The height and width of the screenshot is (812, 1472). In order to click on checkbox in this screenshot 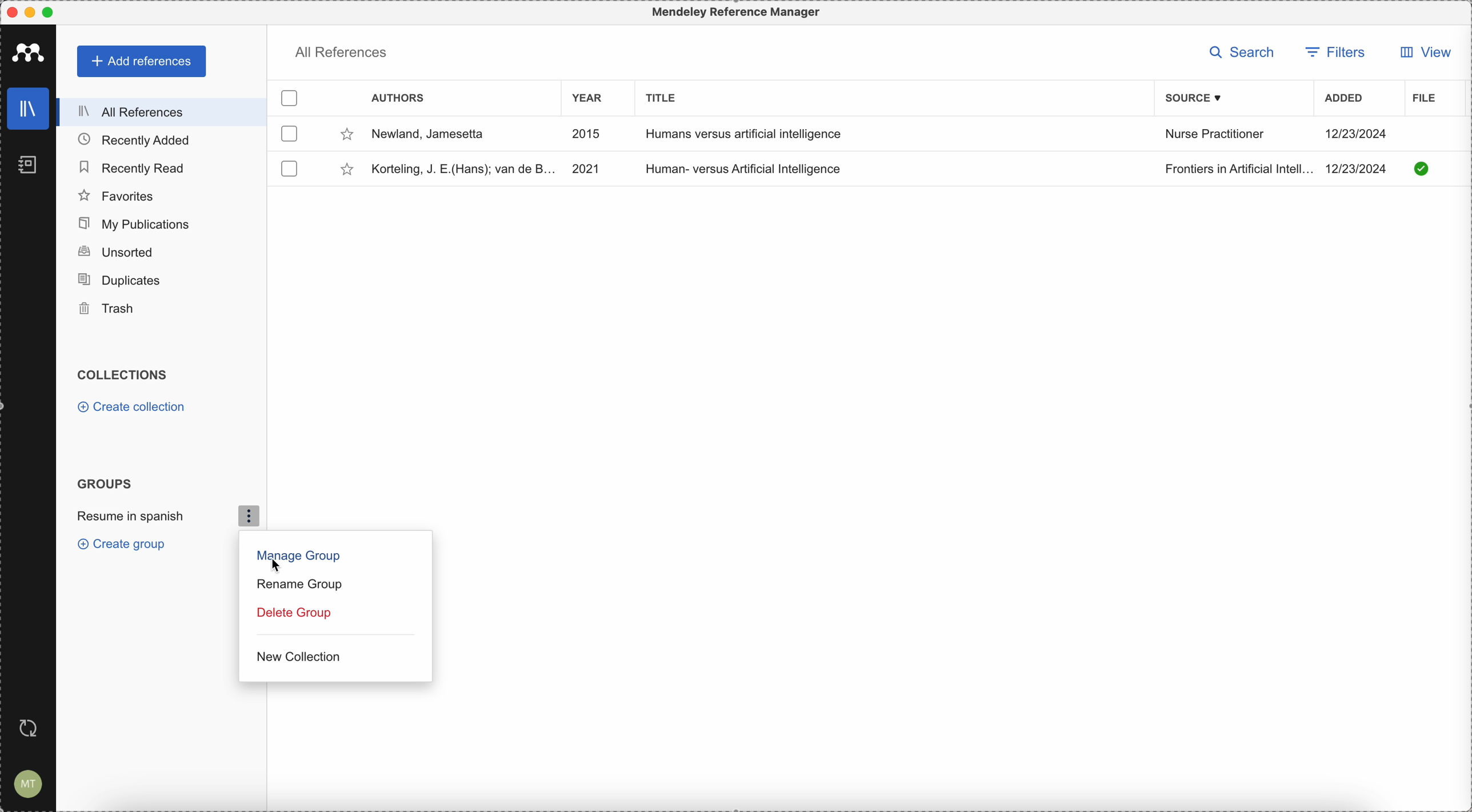, I will do `click(288, 135)`.